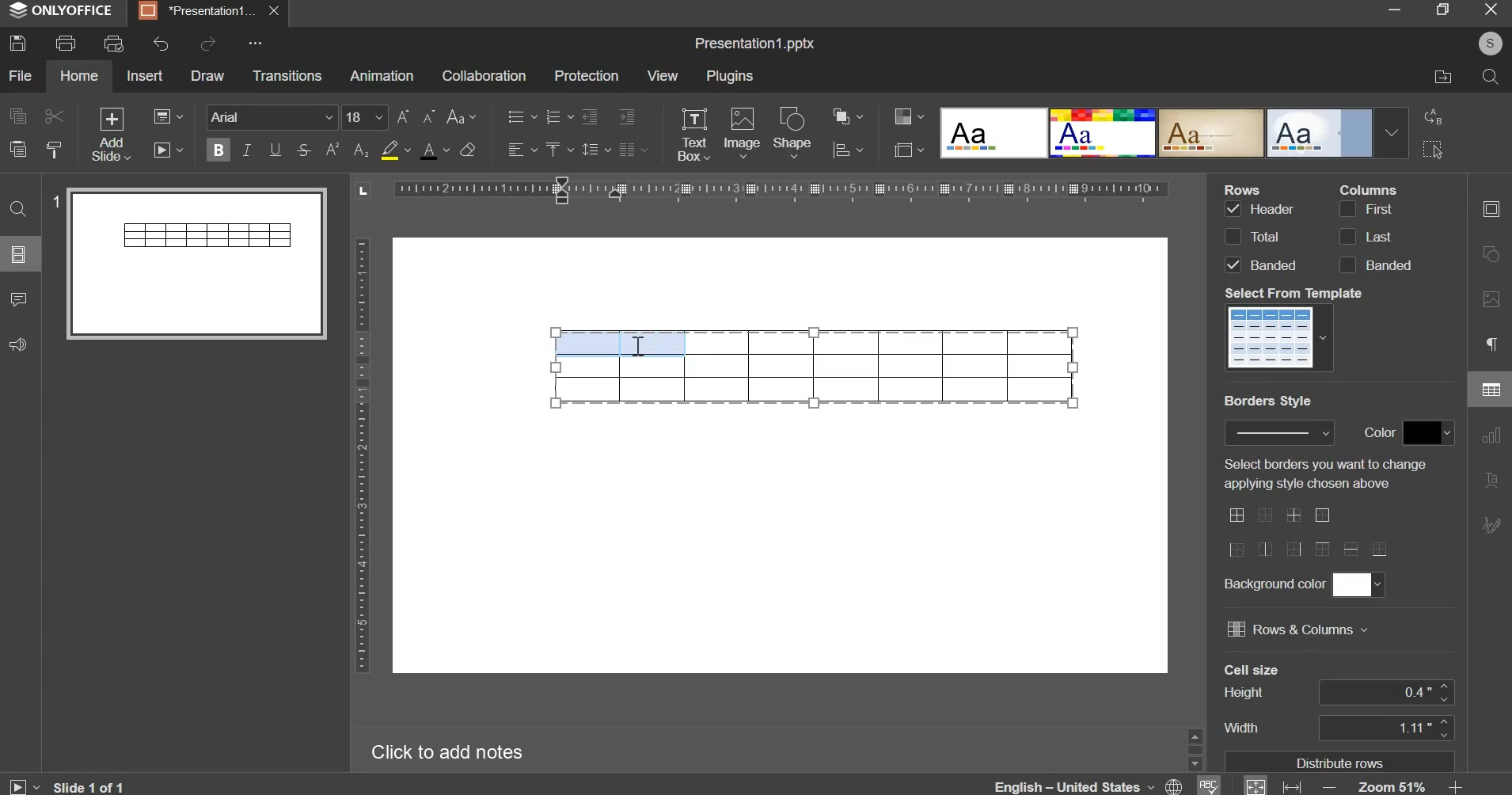  What do you see at coordinates (394, 150) in the screenshot?
I see `fill color` at bounding box center [394, 150].